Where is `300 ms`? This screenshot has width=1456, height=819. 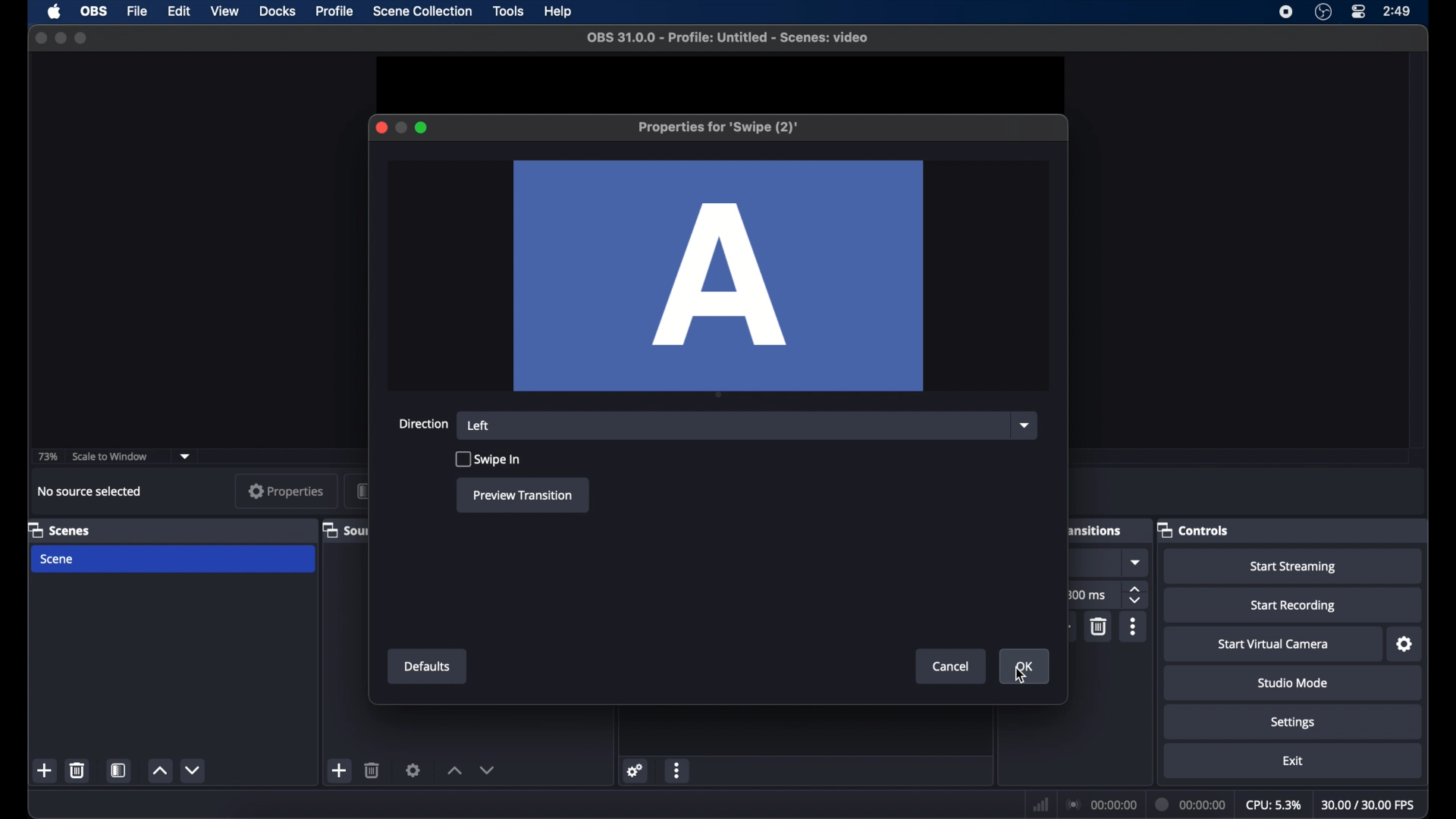 300 ms is located at coordinates (1089, 595).